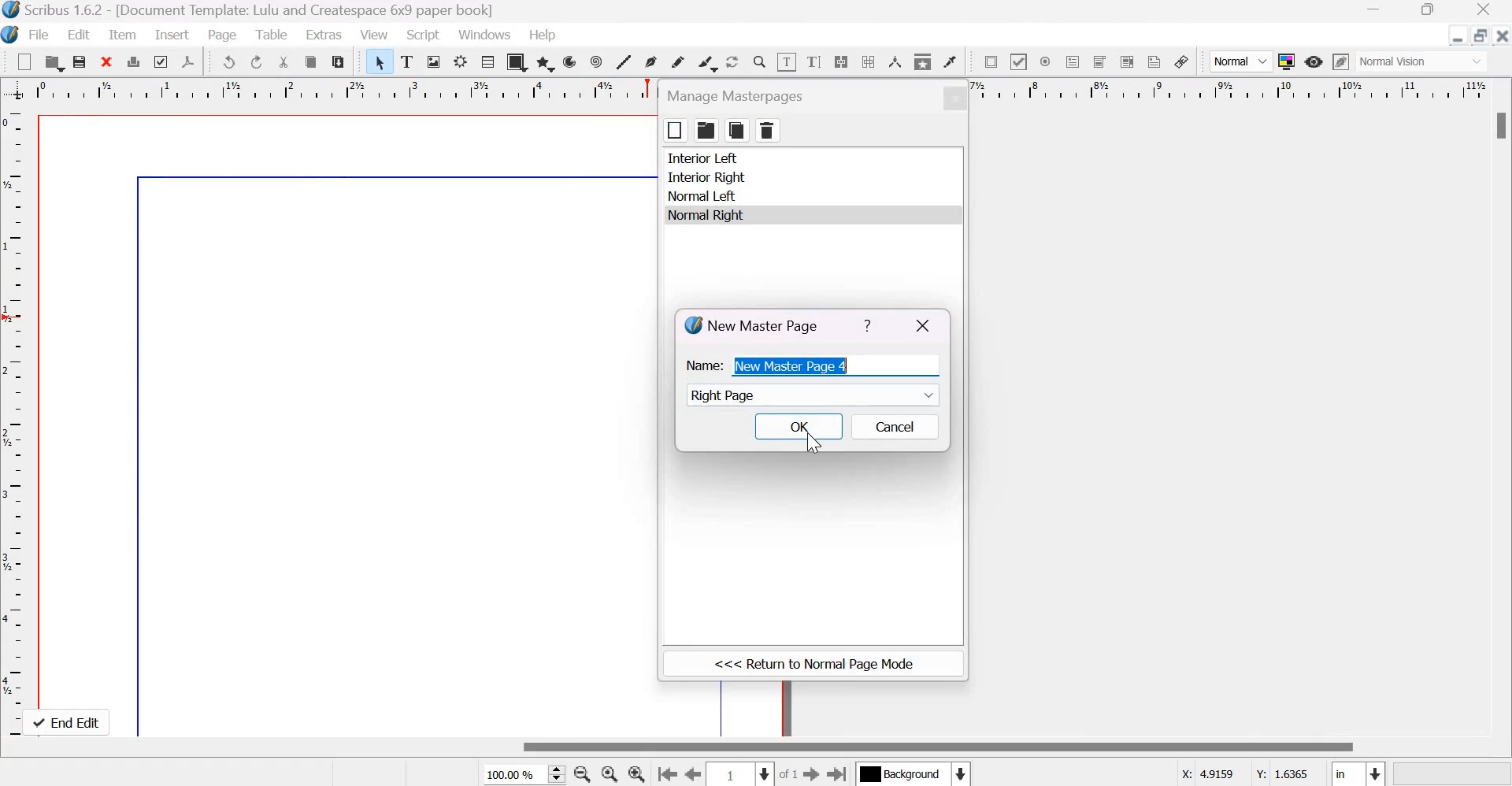 This screenshot has height=786, width=1512. Describe the element at coordinates (758, 61) in the screenshot. I see `Zoom in or out` at that location.